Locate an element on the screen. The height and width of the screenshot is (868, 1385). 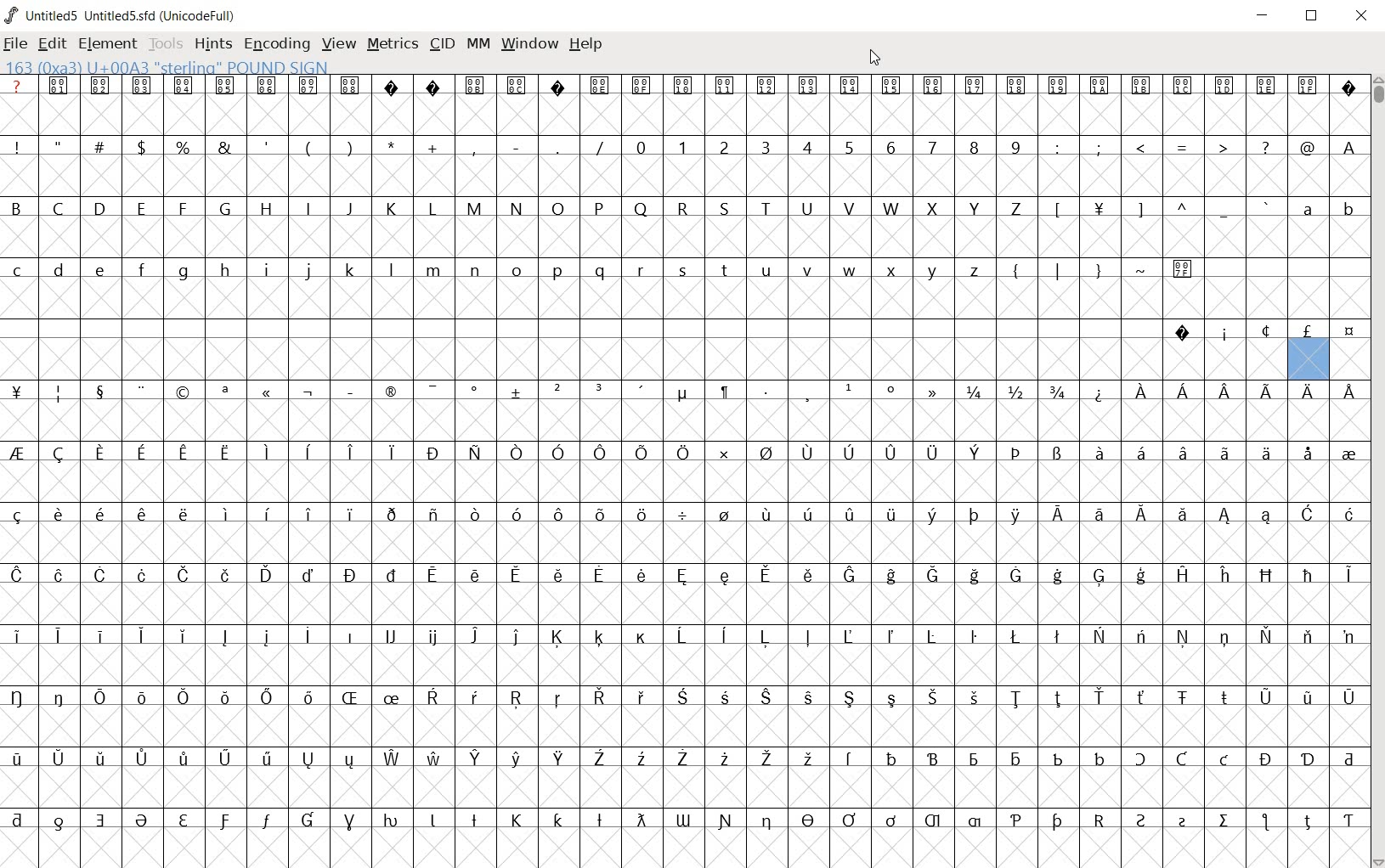
( is located at coordinates (309, 148).